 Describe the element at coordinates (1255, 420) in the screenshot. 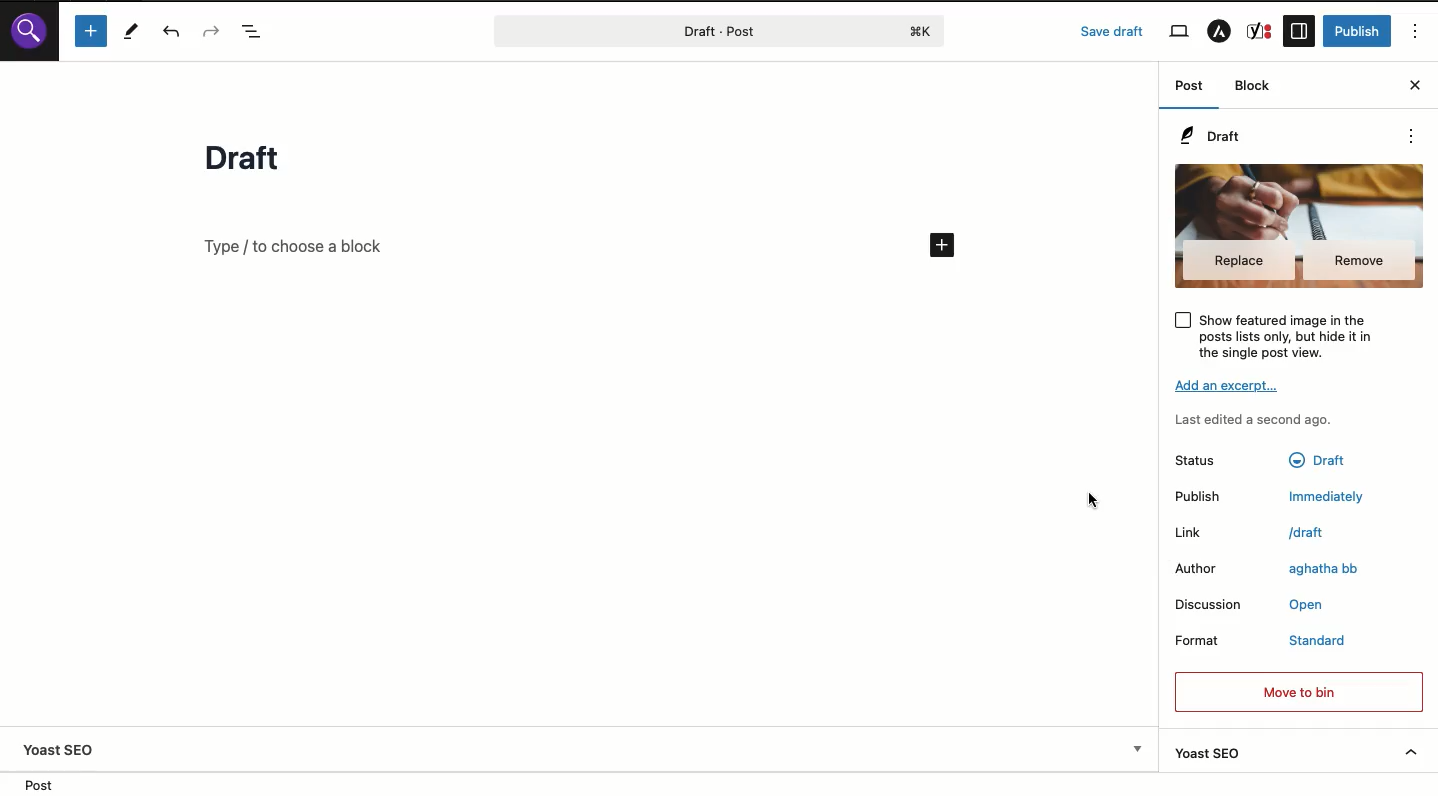

I see `Last edited` at that location.